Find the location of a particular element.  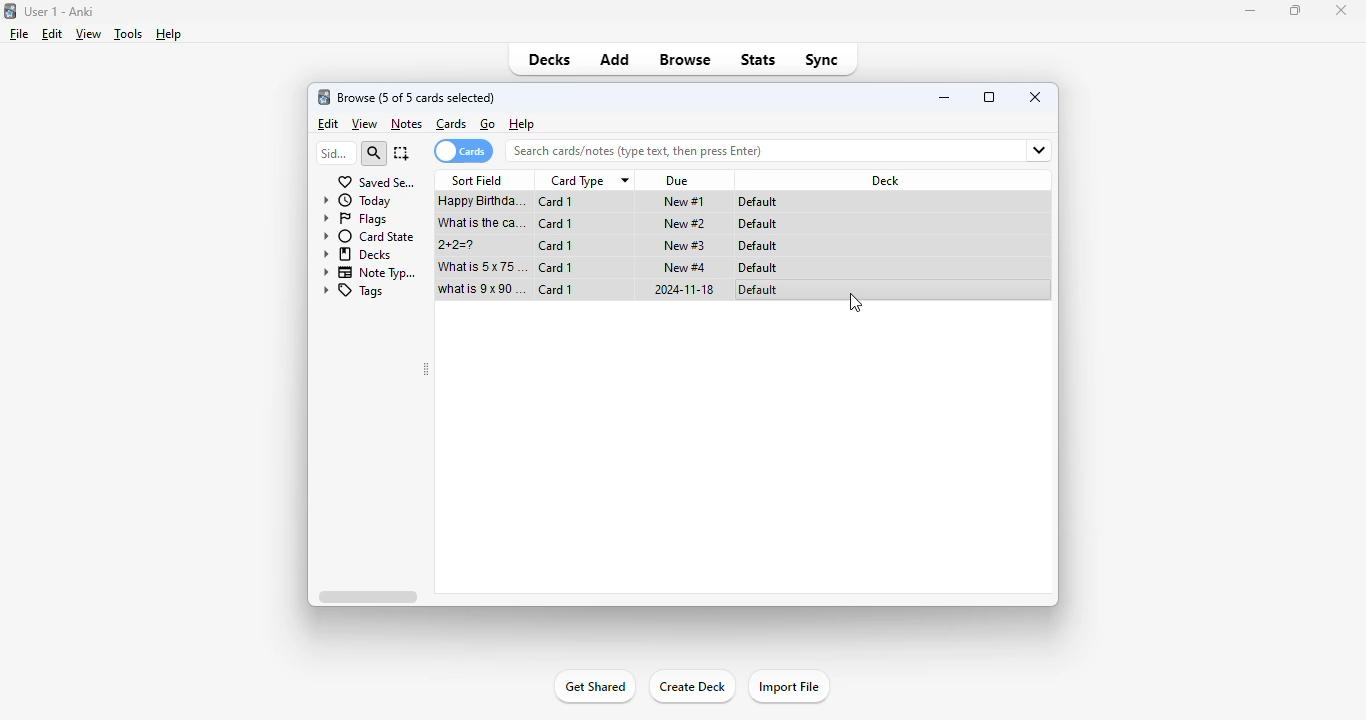

search bar is located at coordinates (739, 150).